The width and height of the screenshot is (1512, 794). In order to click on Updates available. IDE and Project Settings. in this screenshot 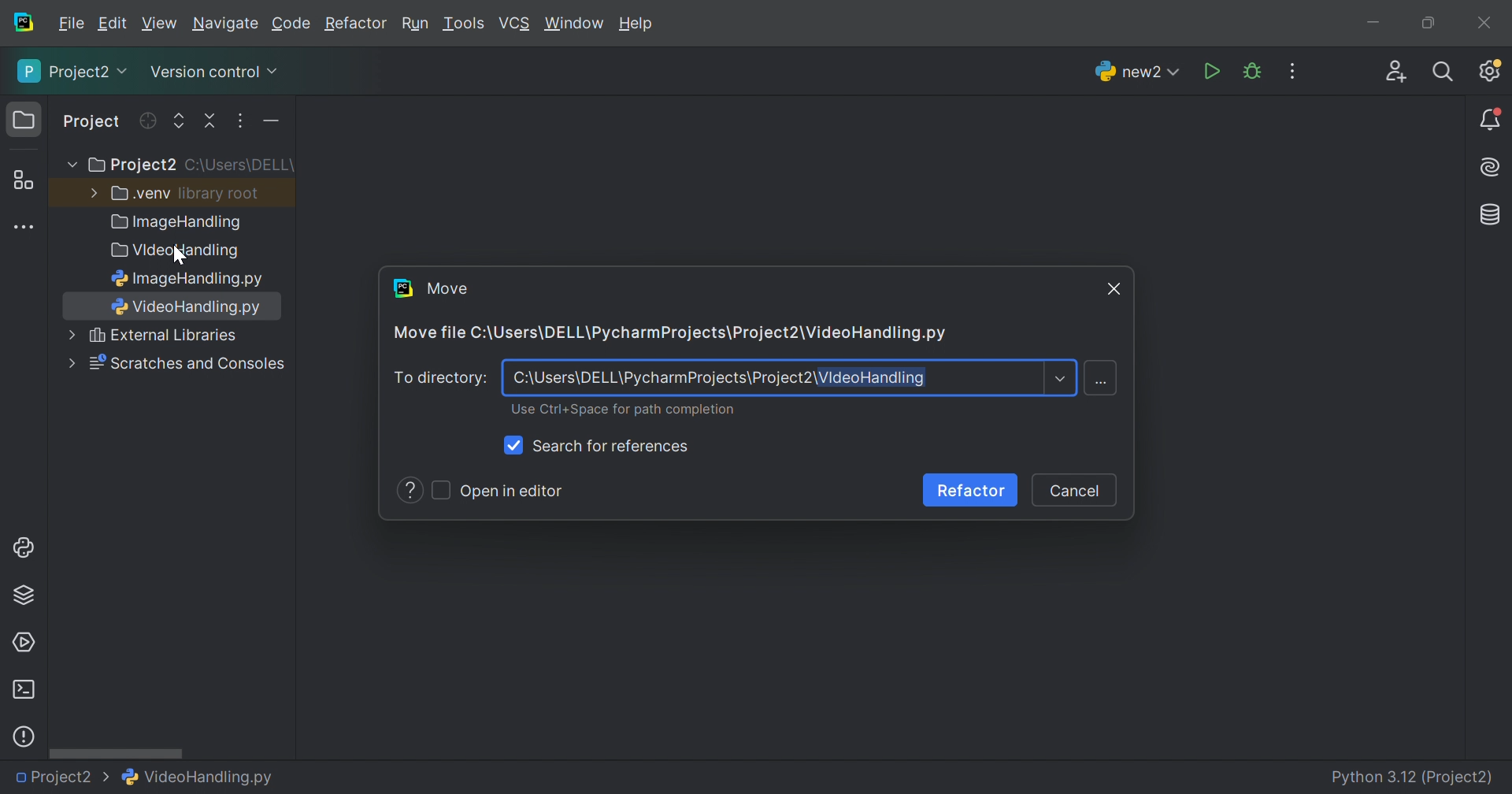, I will do `click(1489, 70)`.